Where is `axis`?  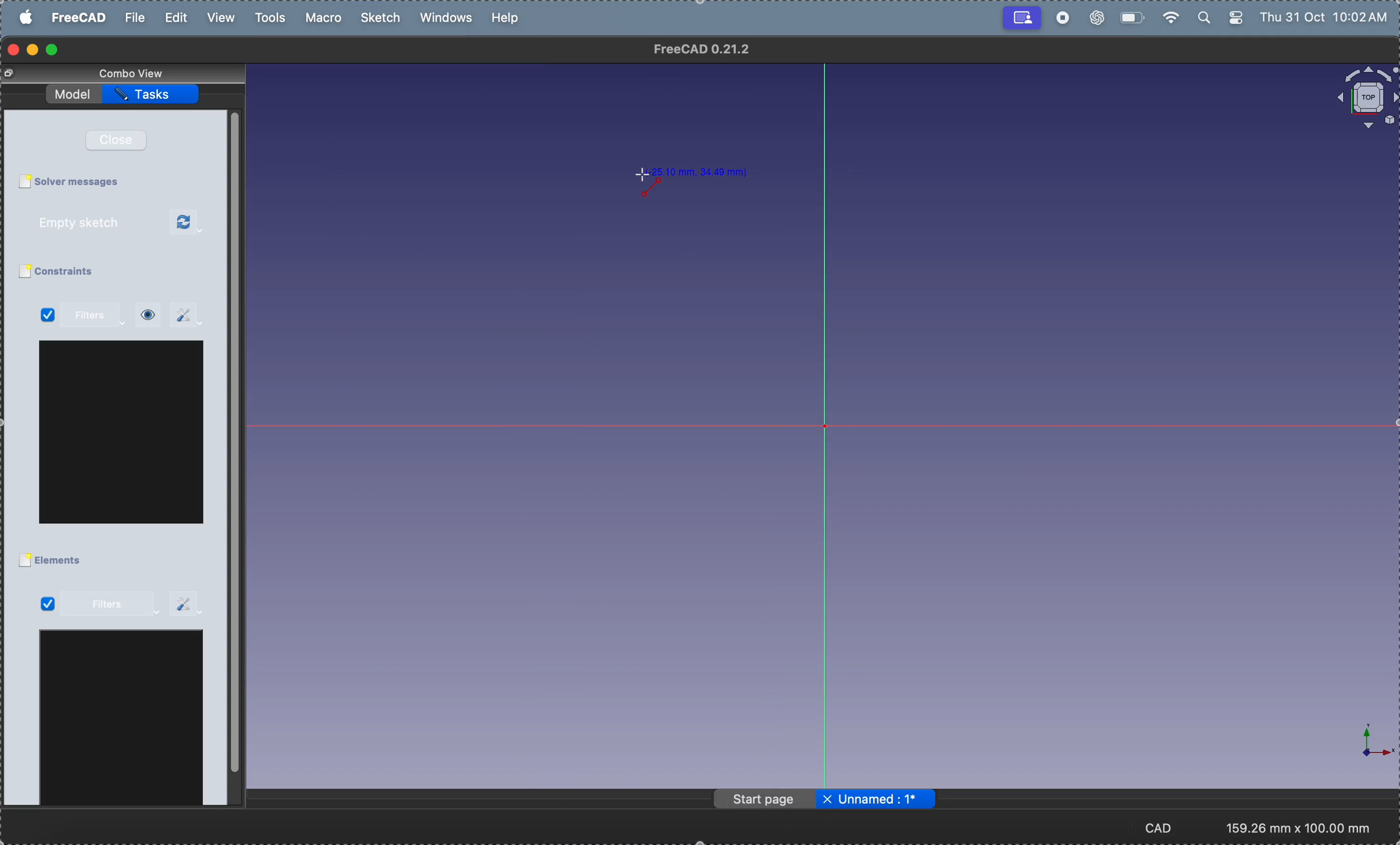 axis is located at coordinates (1366, 742).